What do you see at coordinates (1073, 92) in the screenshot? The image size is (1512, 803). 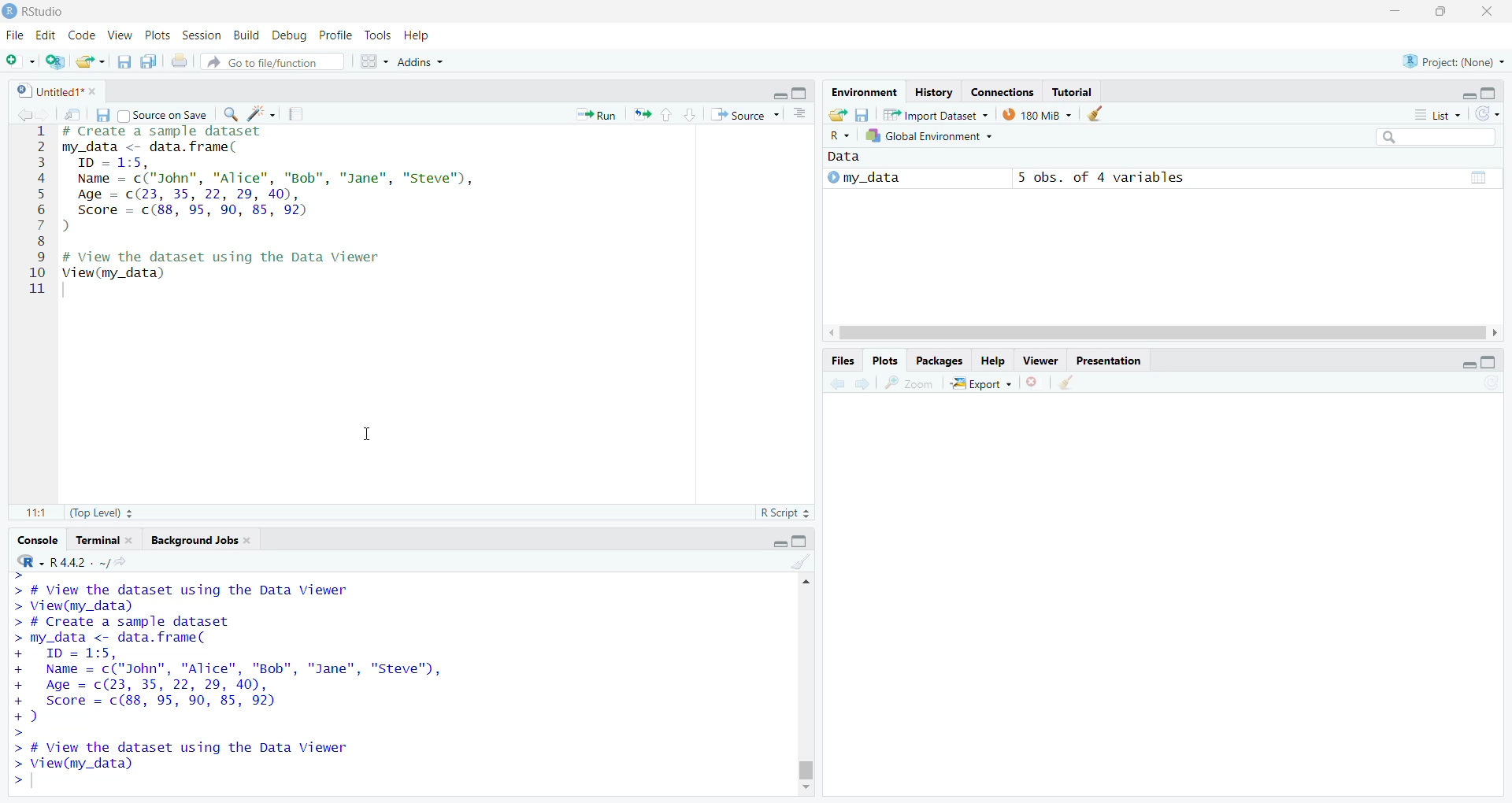 I see `Tutorial` at bounding box center [1073, 92].